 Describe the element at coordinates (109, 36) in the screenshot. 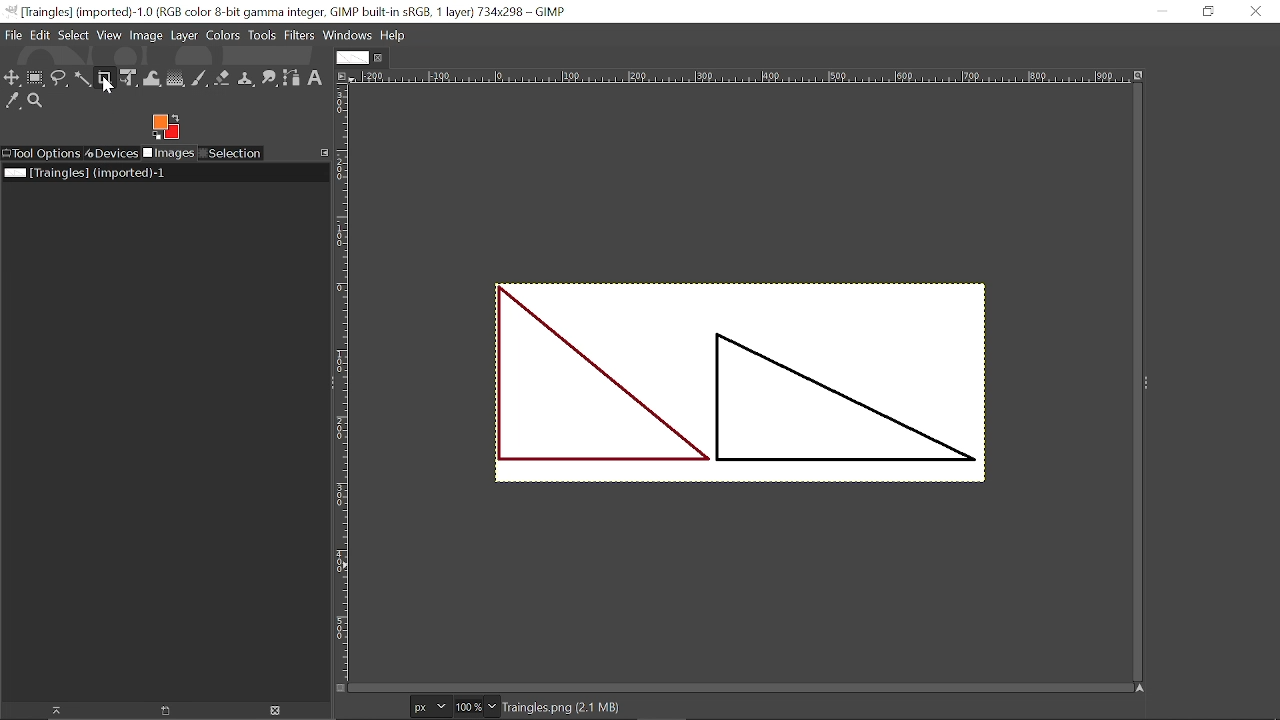

I see `View` at that location.